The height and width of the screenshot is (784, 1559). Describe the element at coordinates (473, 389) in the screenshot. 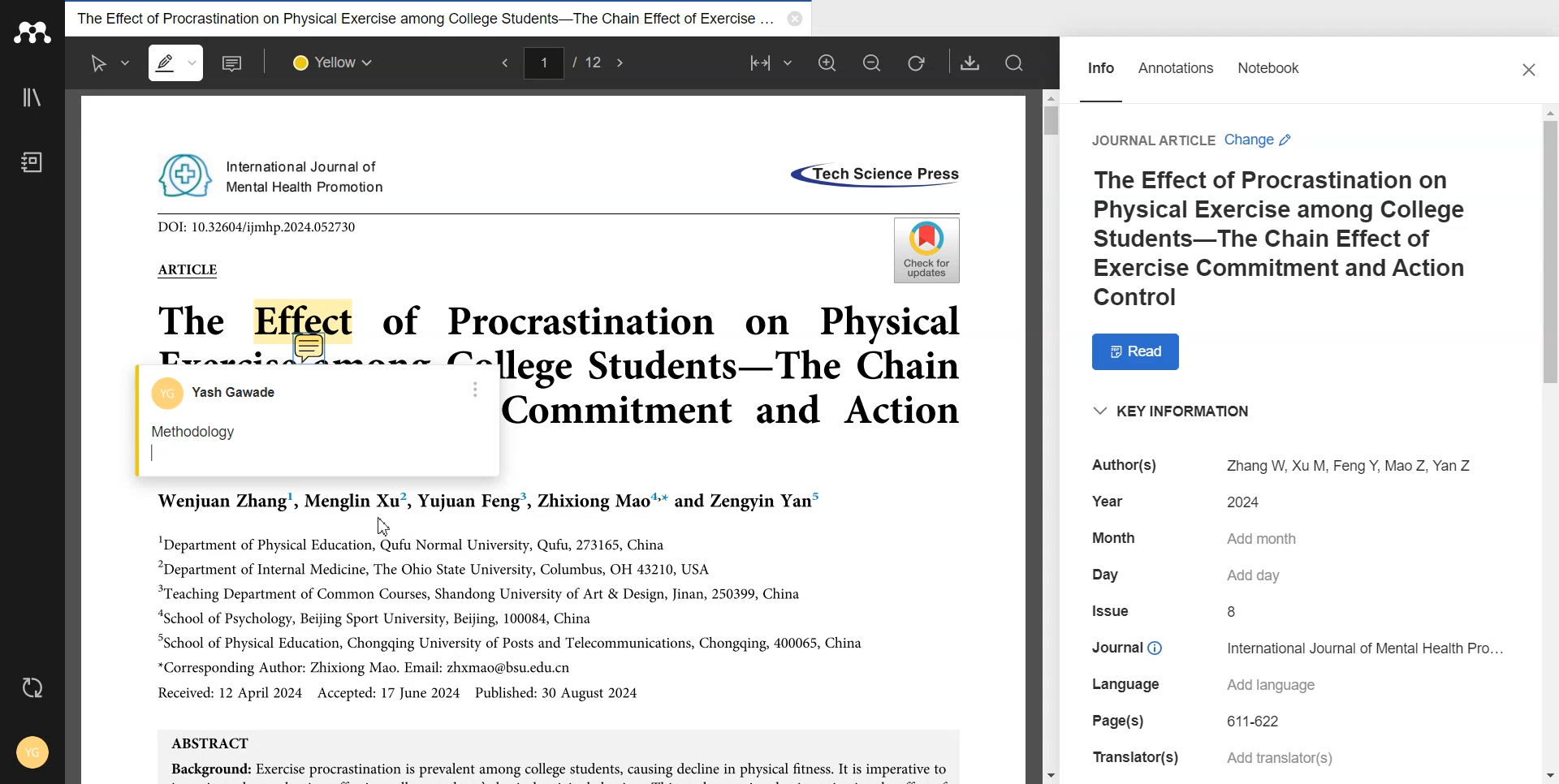

I see `More` at that location.